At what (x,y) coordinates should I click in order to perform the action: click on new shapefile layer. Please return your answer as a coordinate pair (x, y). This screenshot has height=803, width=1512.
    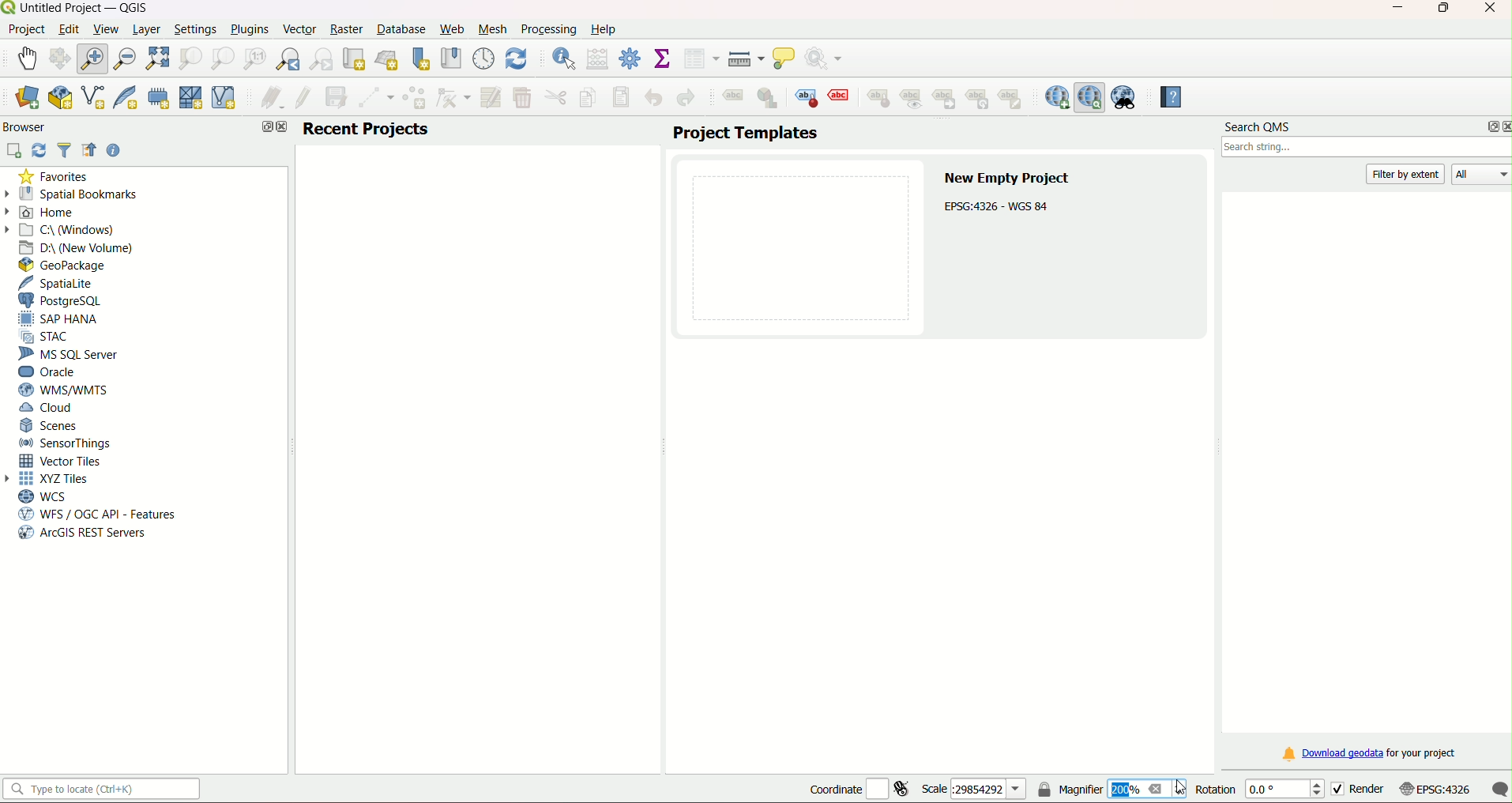
    Looking at the image, I should click on (92, 99).